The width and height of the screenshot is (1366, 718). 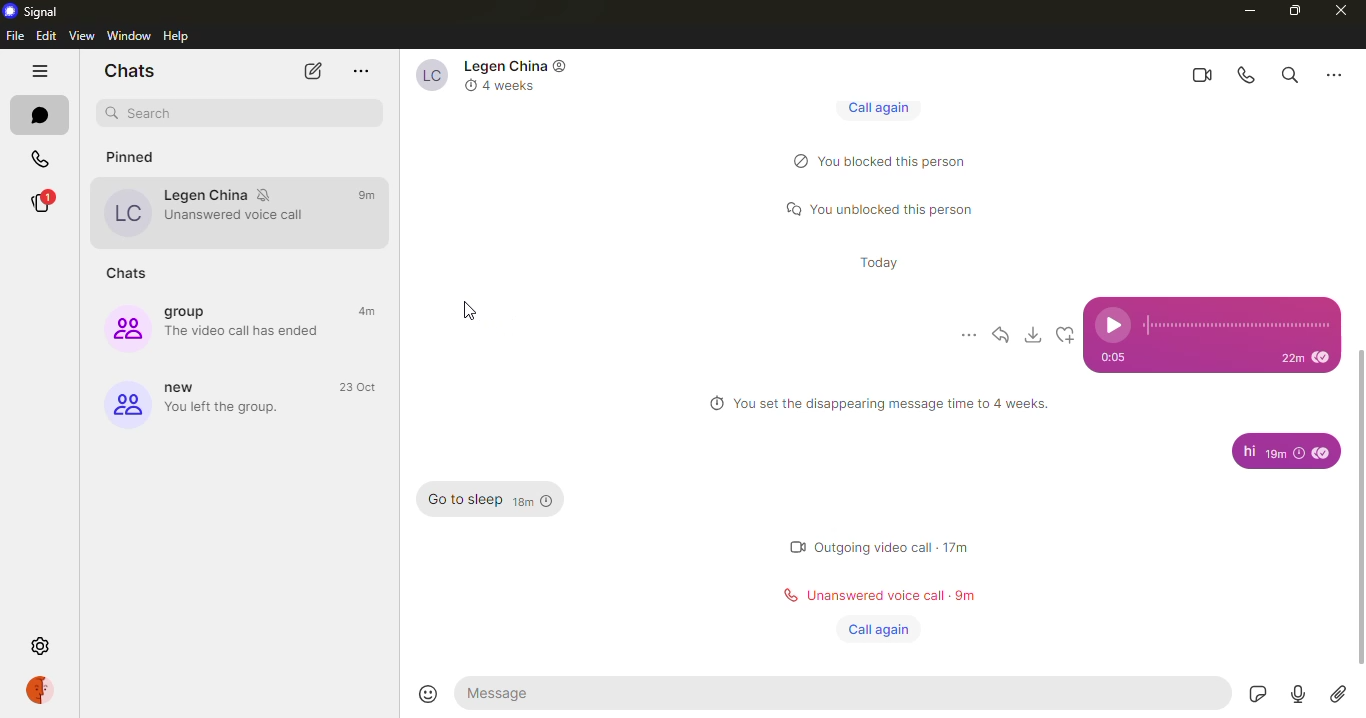 I want to click on message, so click(x=848, y=694).